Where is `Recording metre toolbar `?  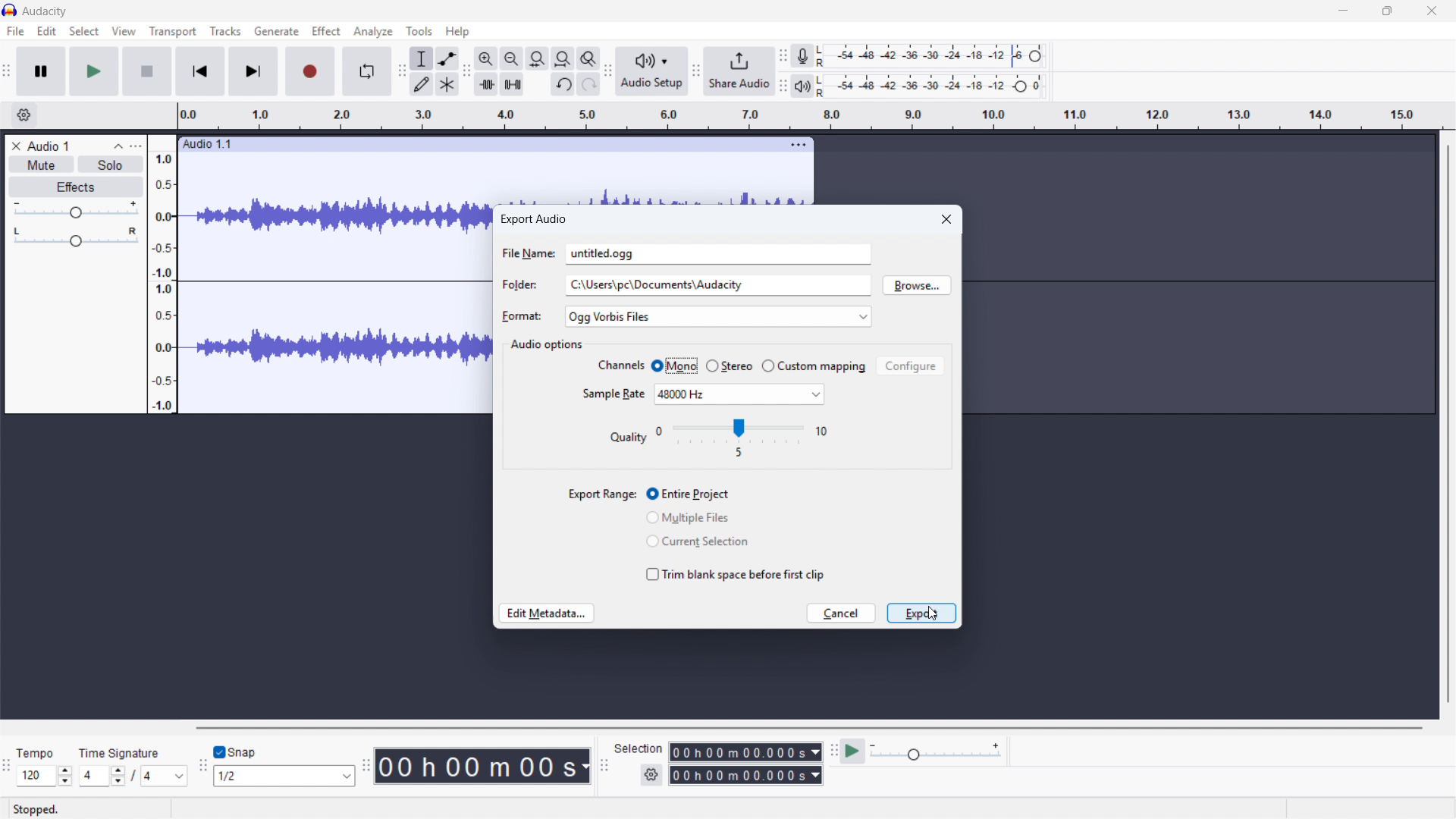 Recording metre toolbar  is located at coordinates (783, 56).